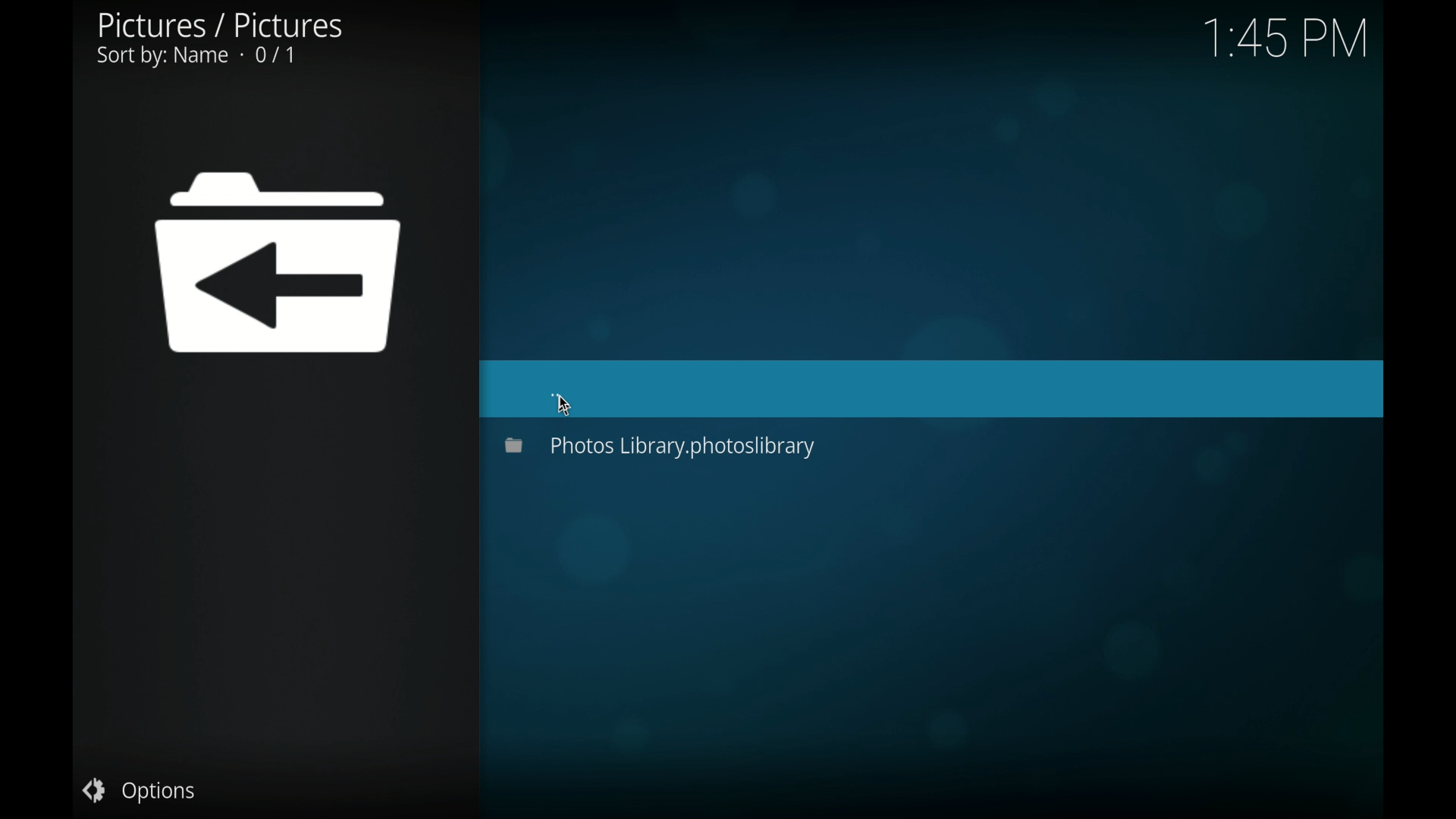 The height and width of the screenshot is (819, 1456). What do you see at coordinates (218, 39) in the screenshot?
I see `pictures` at bounding box center [218, 39].